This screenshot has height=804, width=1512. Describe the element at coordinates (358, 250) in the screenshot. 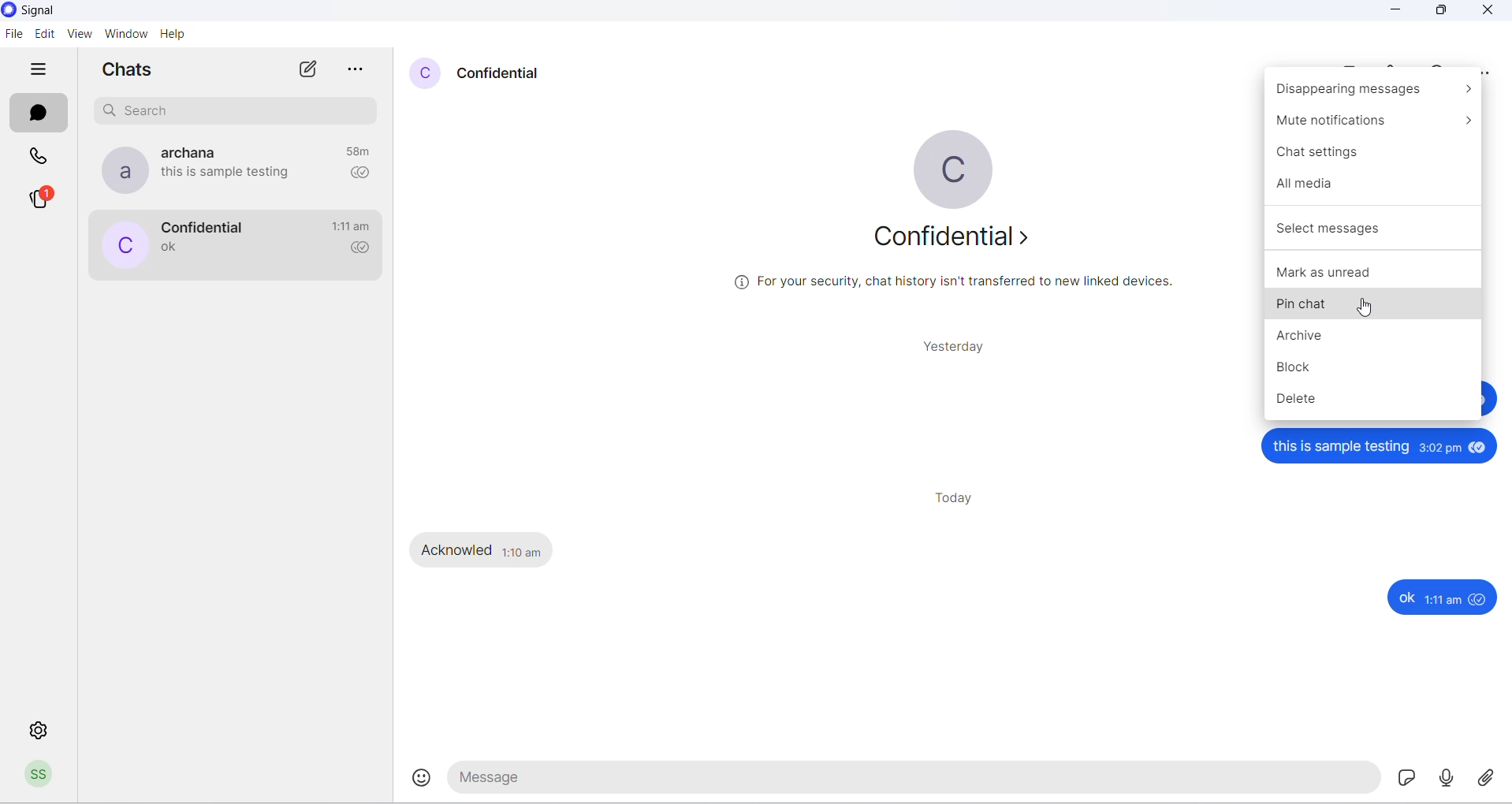

I see `read recipient` at that location.